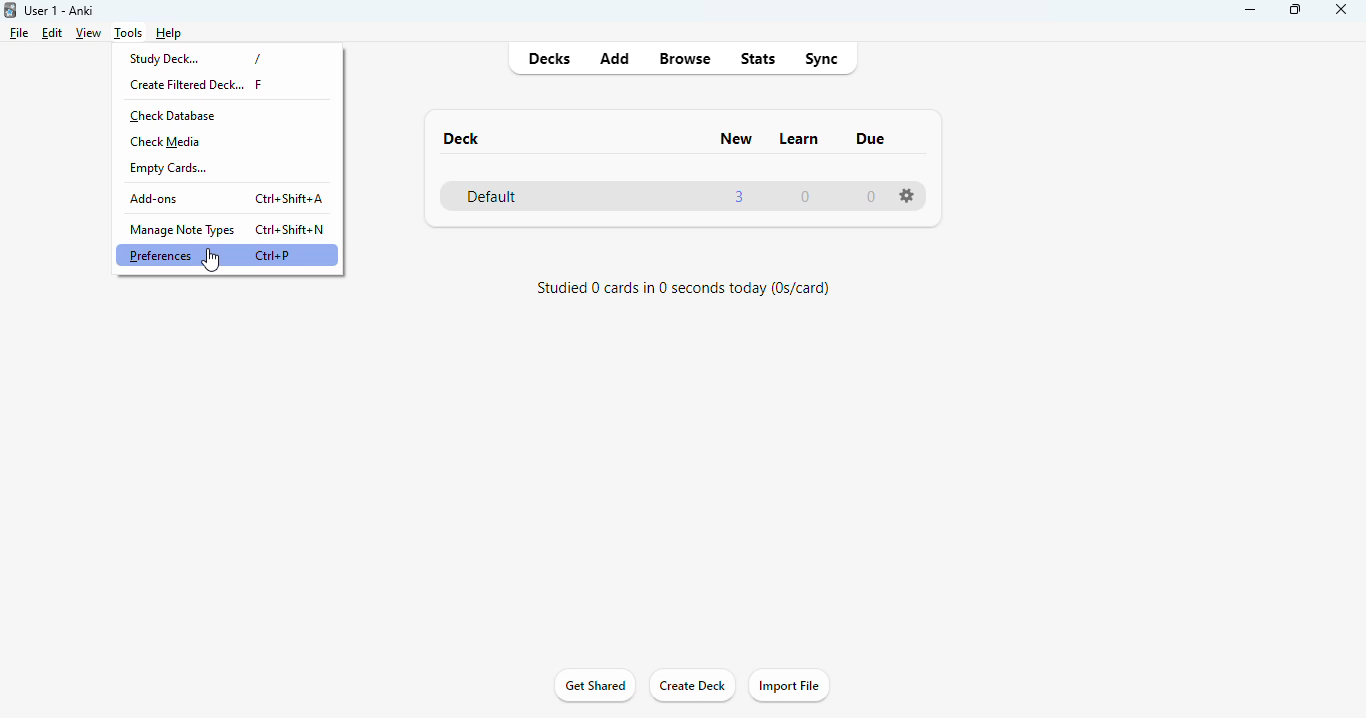  What do you see at coordinates (871, 197) in the screenshot?
I see `0` at bounding box center [871, 197].